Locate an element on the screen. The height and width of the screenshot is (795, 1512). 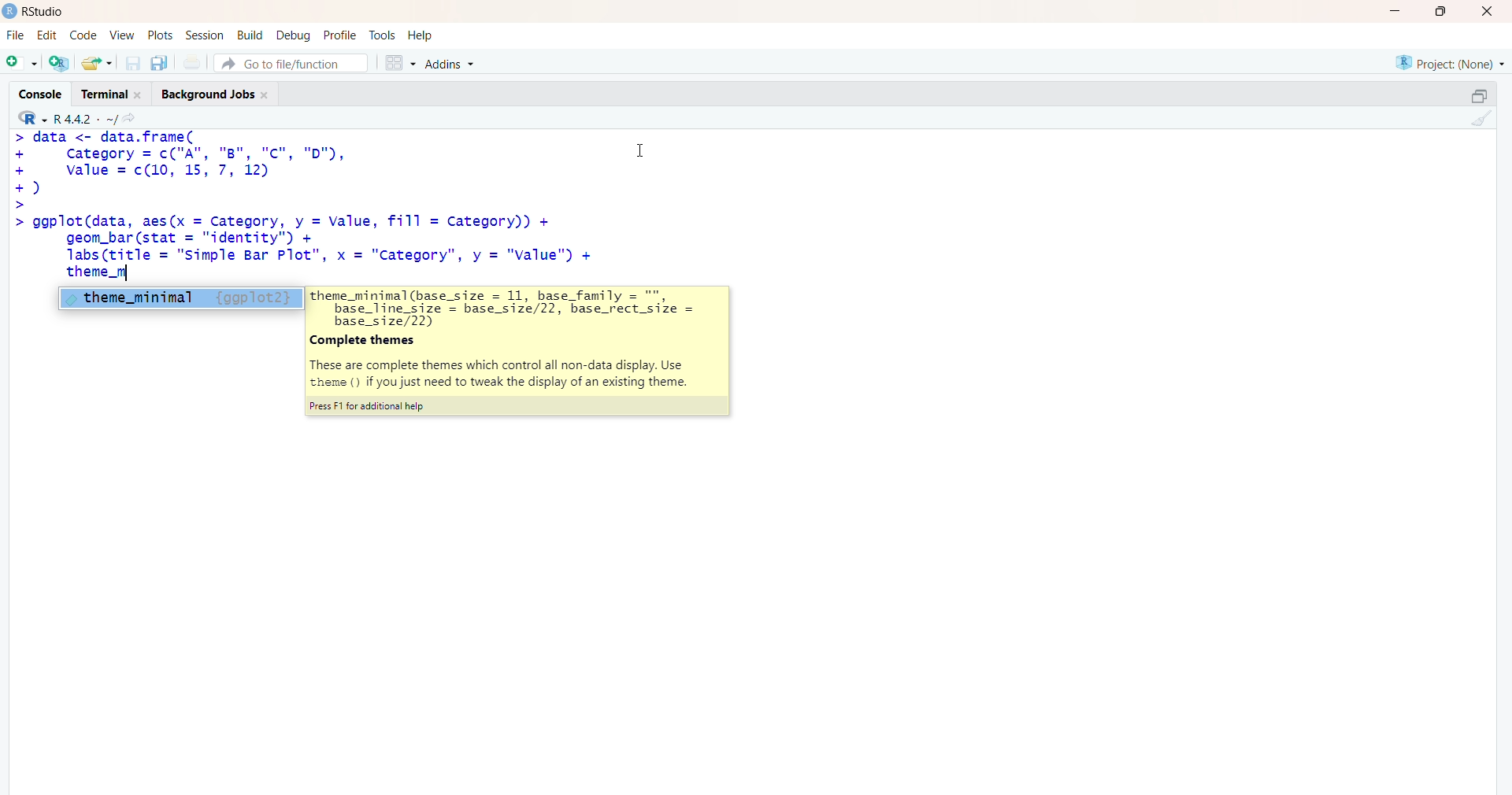
help is located at coordinates (423, 35).